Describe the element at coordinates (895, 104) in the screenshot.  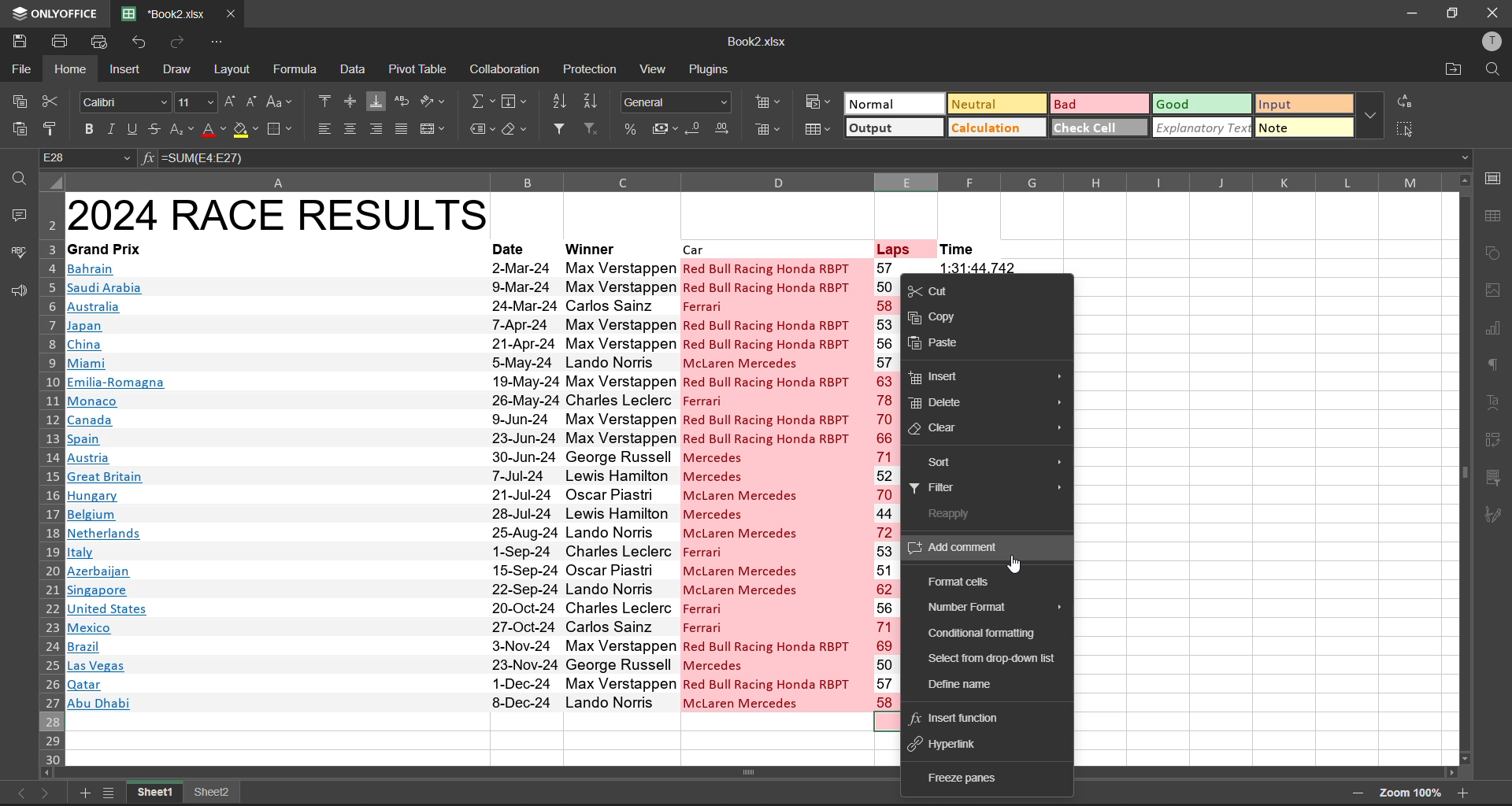
I see `normal` at that location.